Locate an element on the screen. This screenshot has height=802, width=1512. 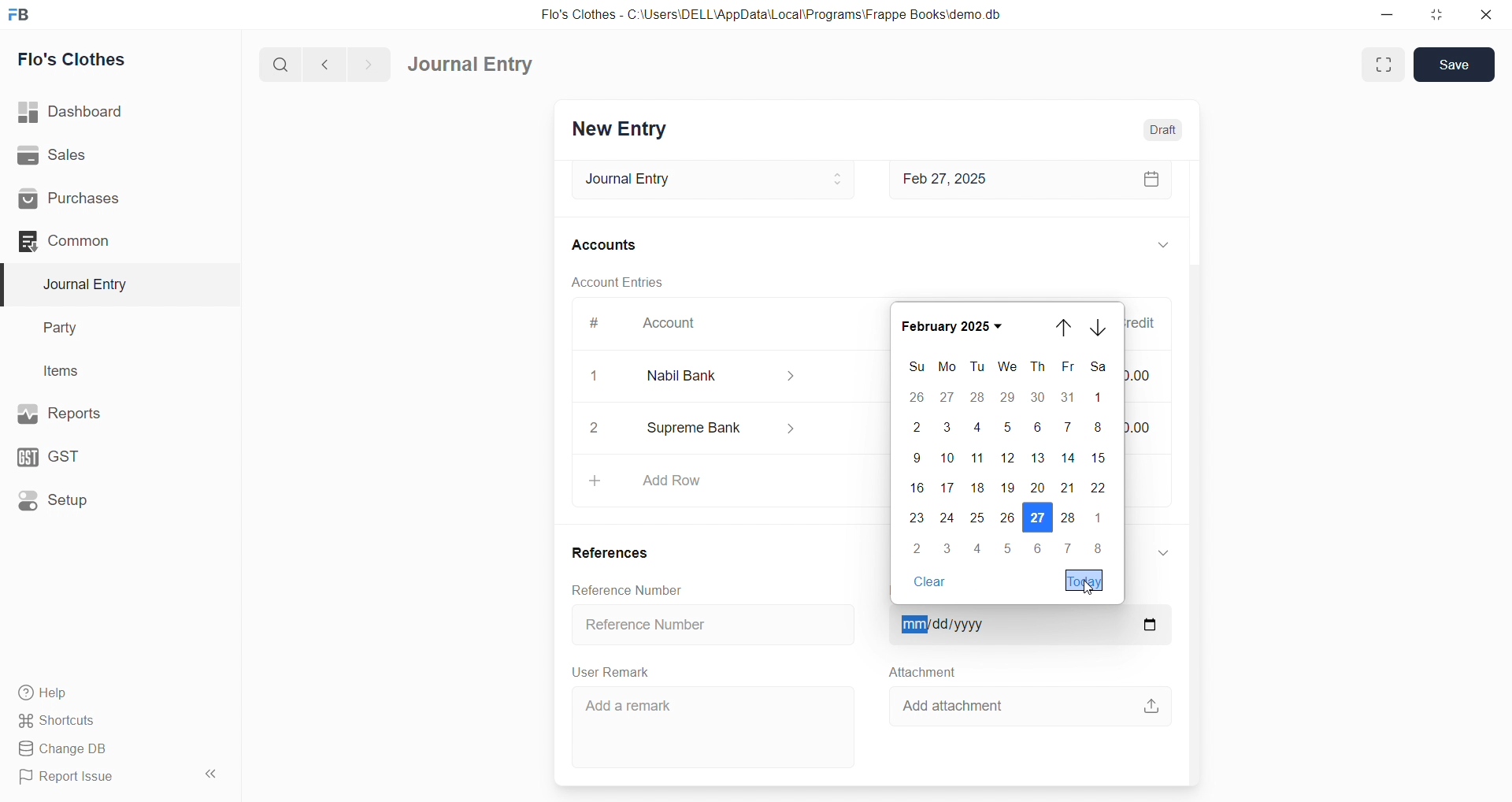
Fit window is located at coordinates (1381, 65).